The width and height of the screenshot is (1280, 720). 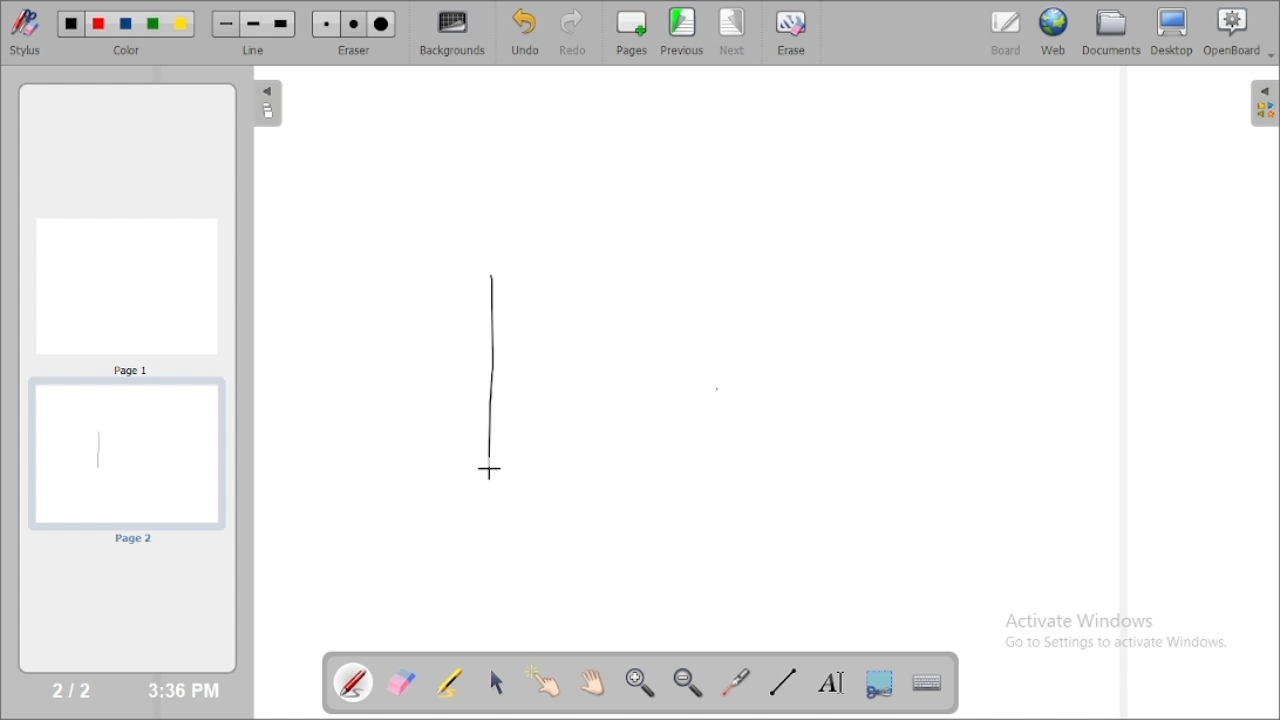 I want to click on stylus, so click(x=25, y=31).